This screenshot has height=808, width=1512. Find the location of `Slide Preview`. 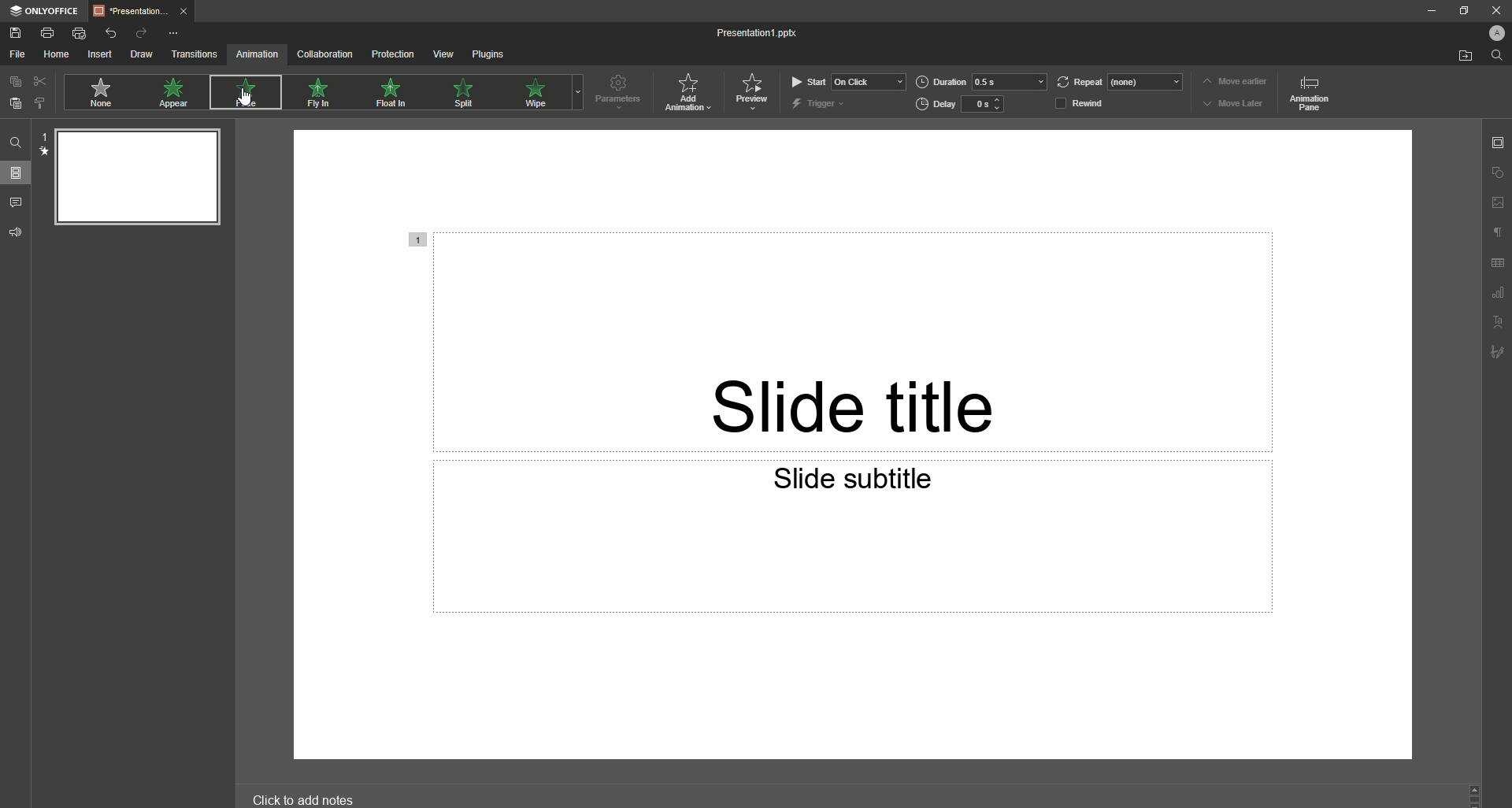

Slide Preview is located at coordinates (133, 182).